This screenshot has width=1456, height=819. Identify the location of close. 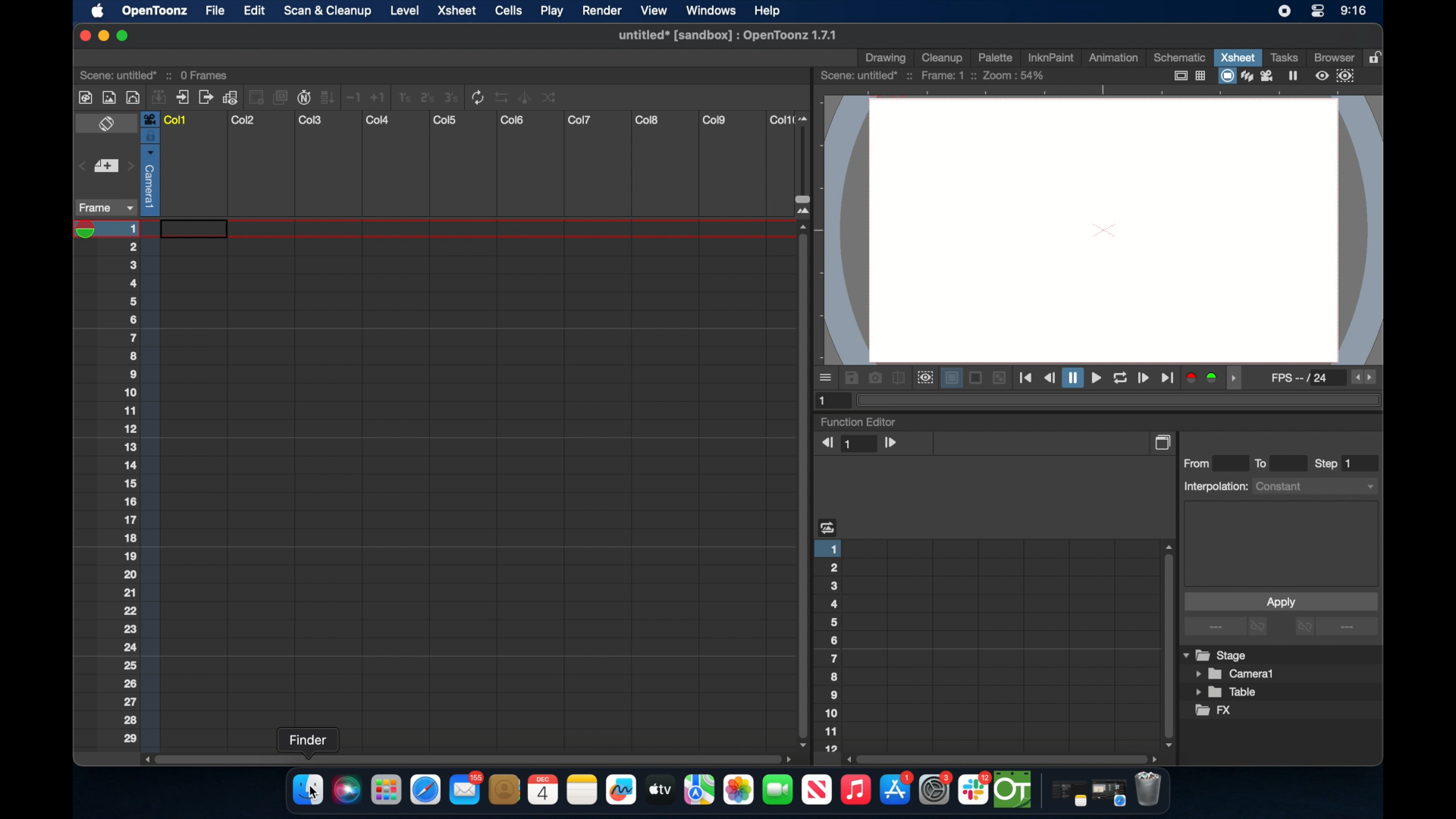
(82, 36).